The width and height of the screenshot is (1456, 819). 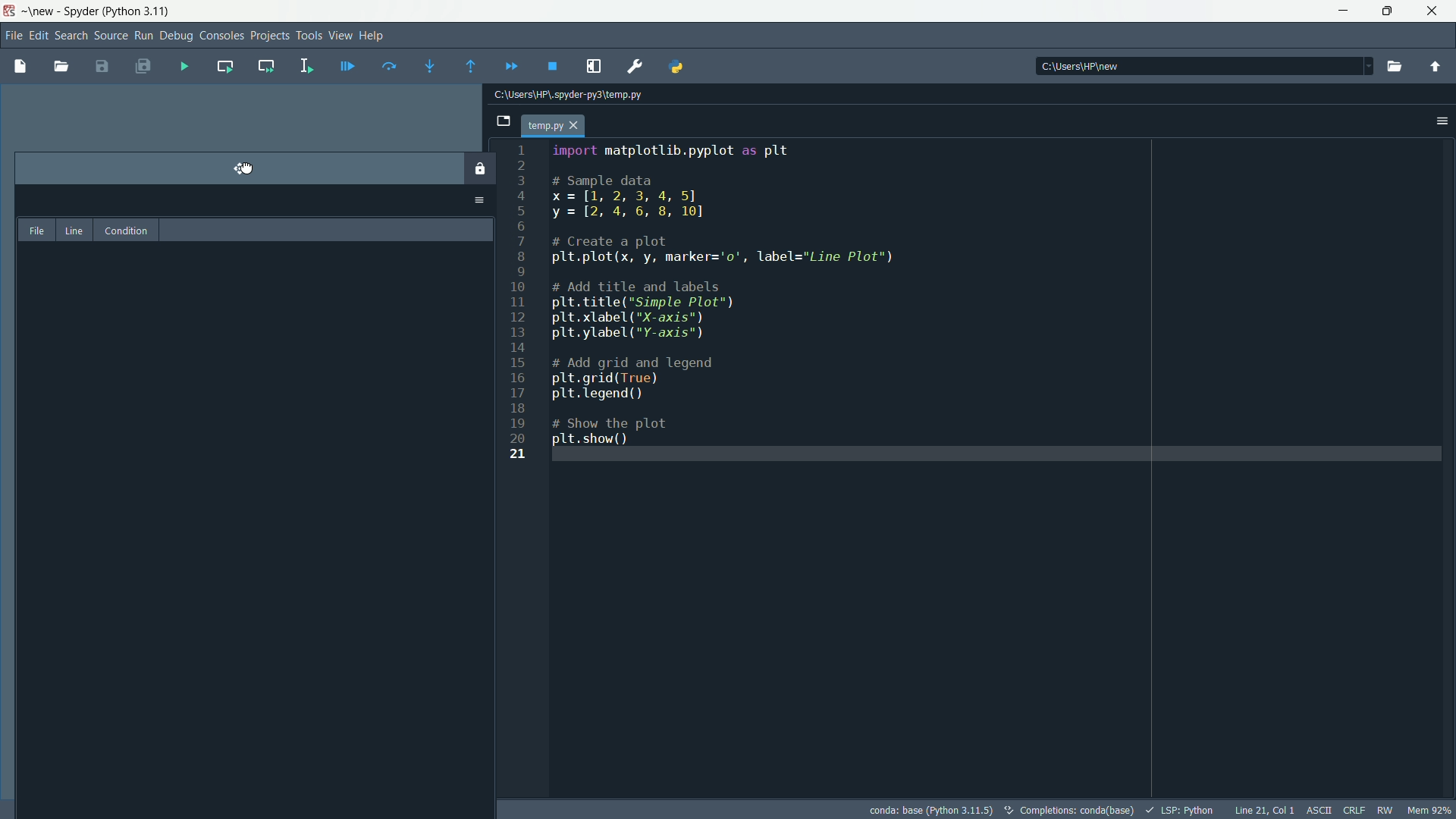 What do you see at coordinates (18, 65) in the screenshot?
I see `new file` at bounding box center [18, 65].